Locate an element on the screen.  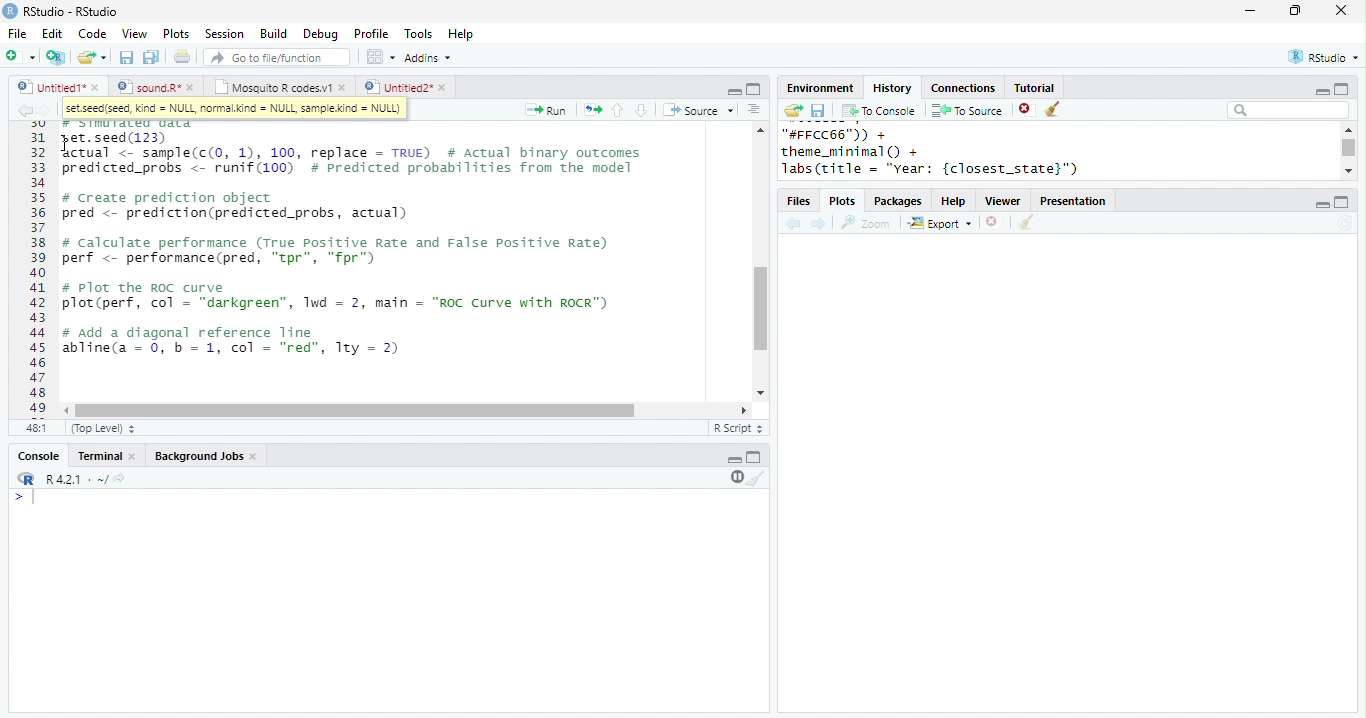
maximize is located at coordinates (1340, 88).